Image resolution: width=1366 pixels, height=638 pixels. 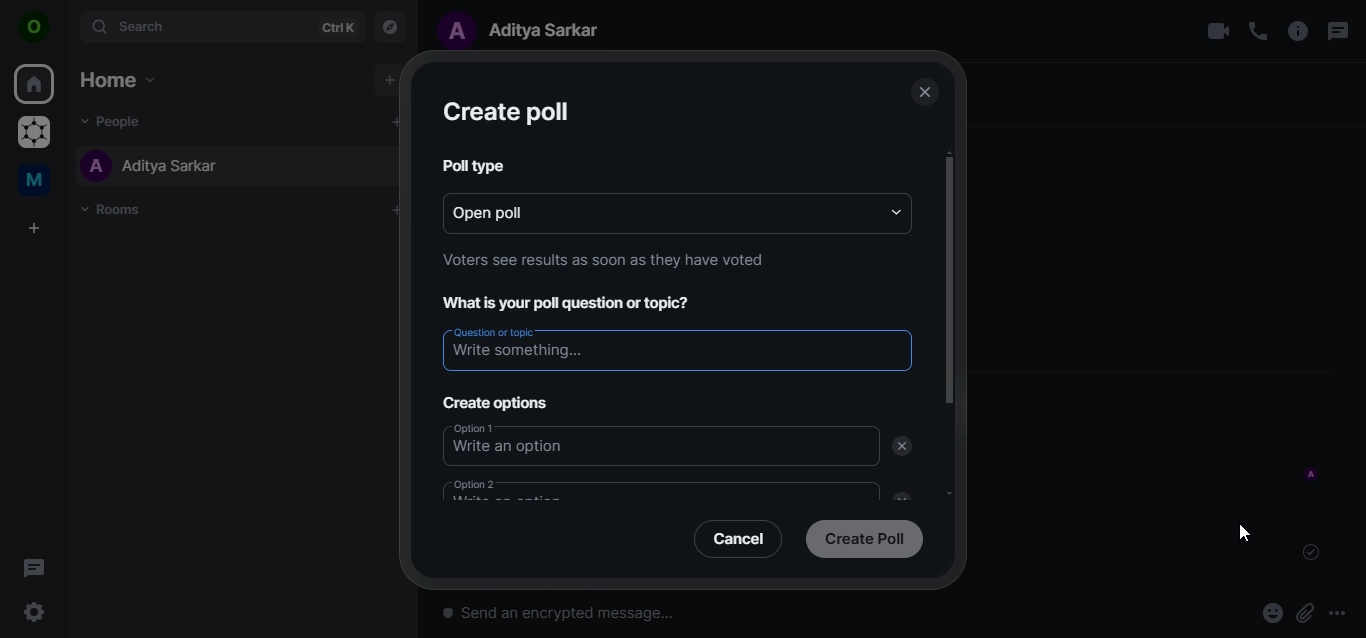 I want to click on attachments, so click(x=1305, y=614).